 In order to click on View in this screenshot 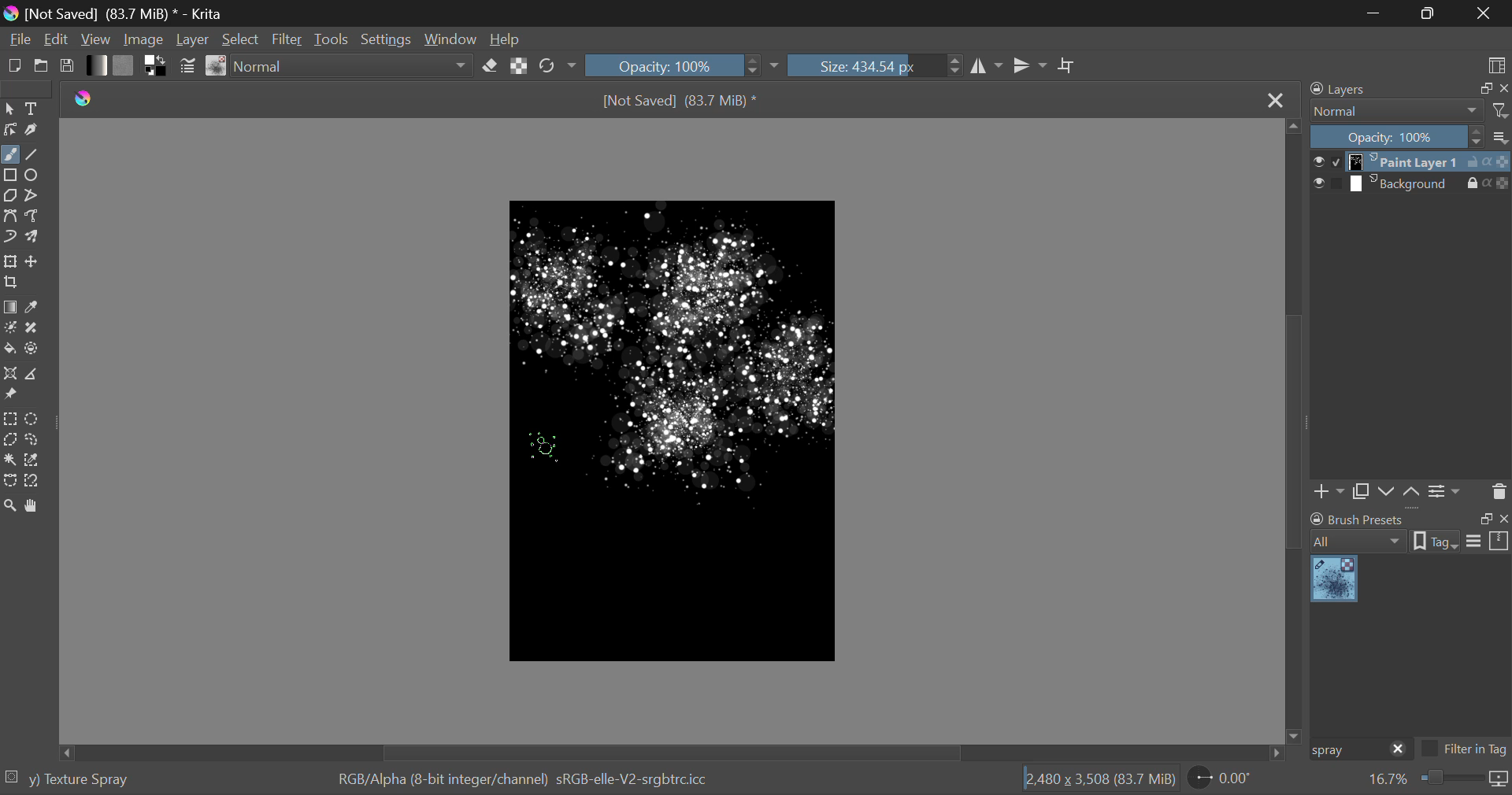, I will do `click(98, 39)`.